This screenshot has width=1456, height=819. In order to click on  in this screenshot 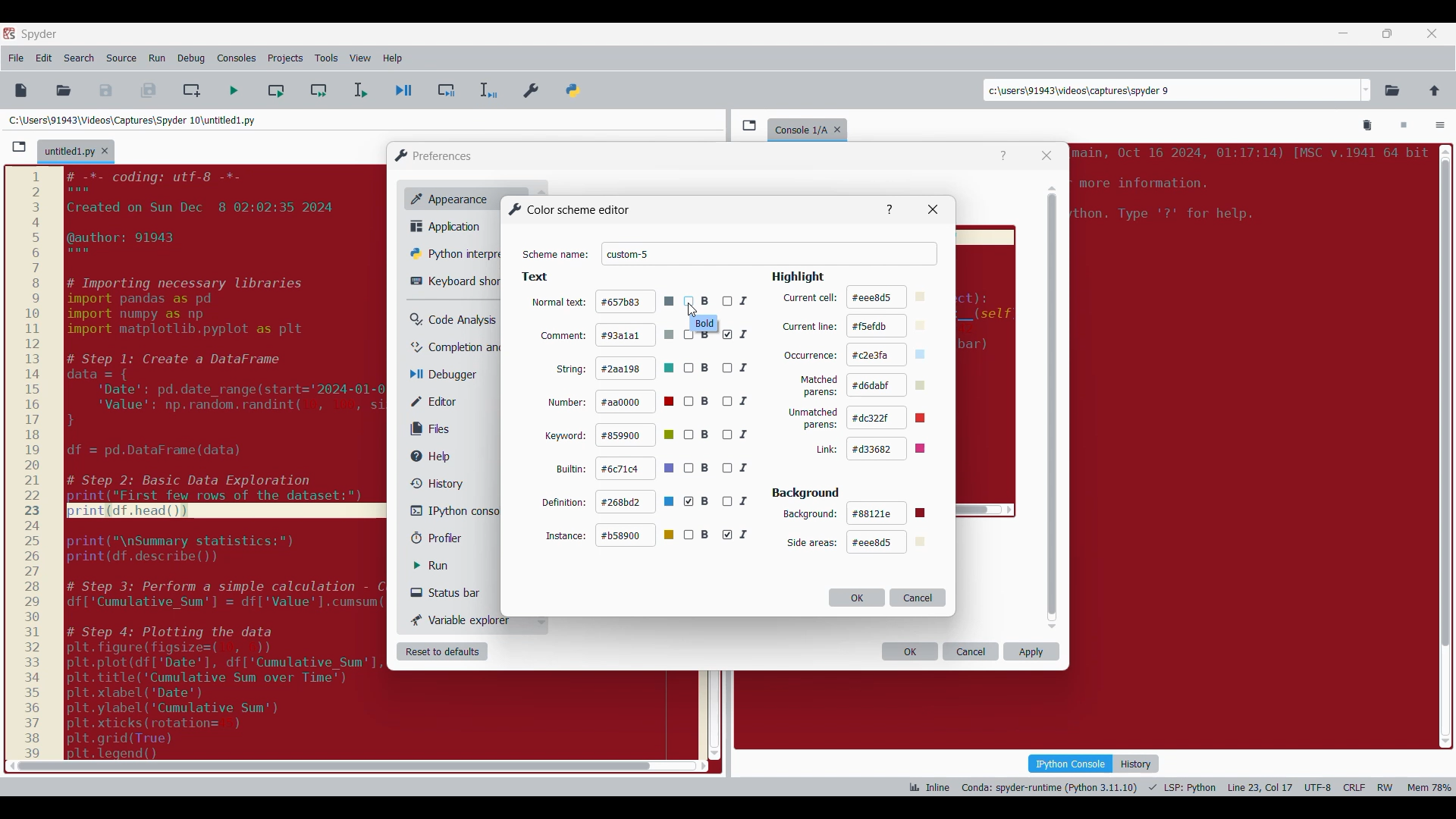, I will do `click(32, 463)`.